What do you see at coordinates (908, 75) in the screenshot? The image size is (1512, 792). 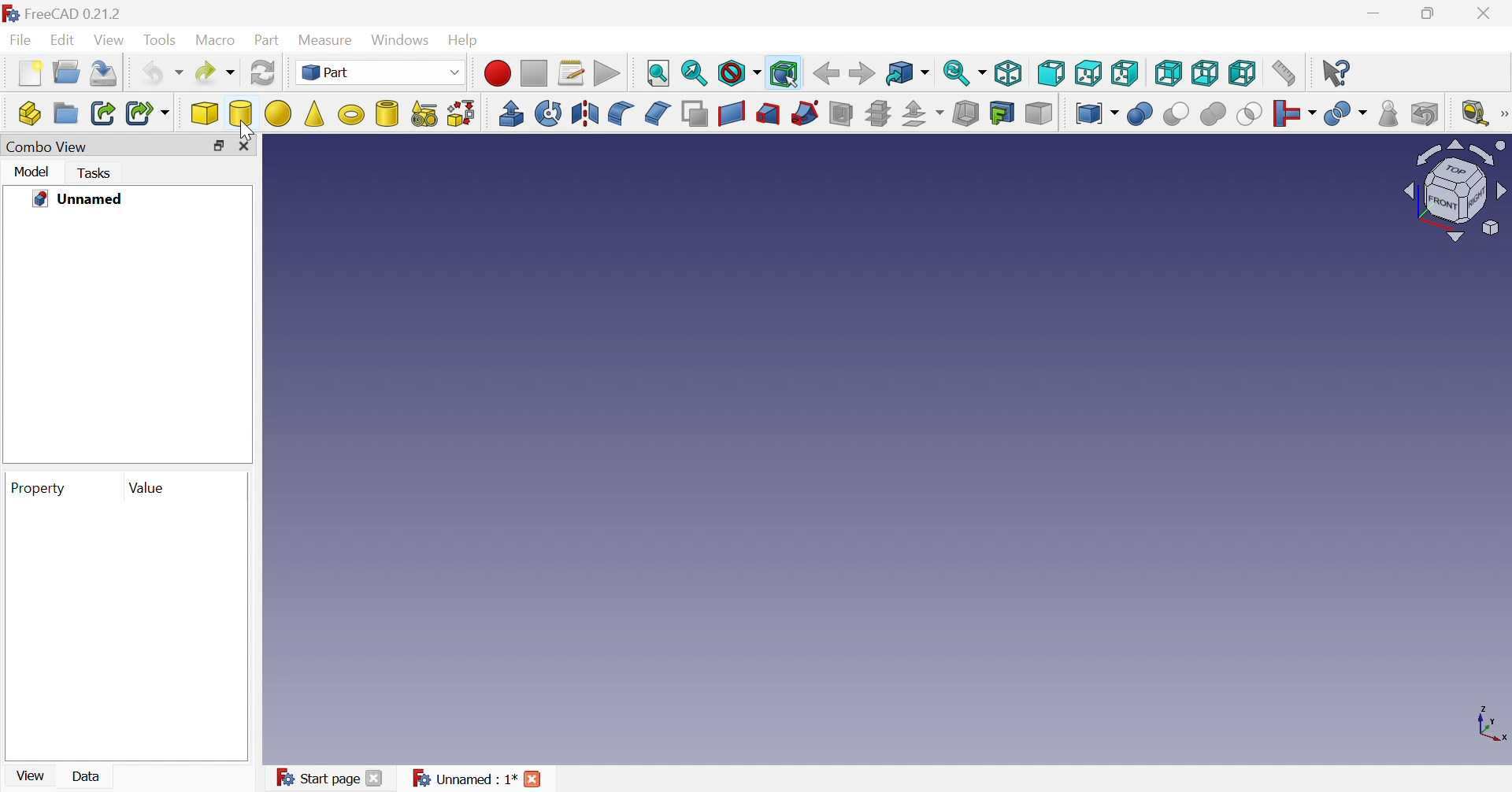 I see `Go to linked object` at bounding box center [908, 75].